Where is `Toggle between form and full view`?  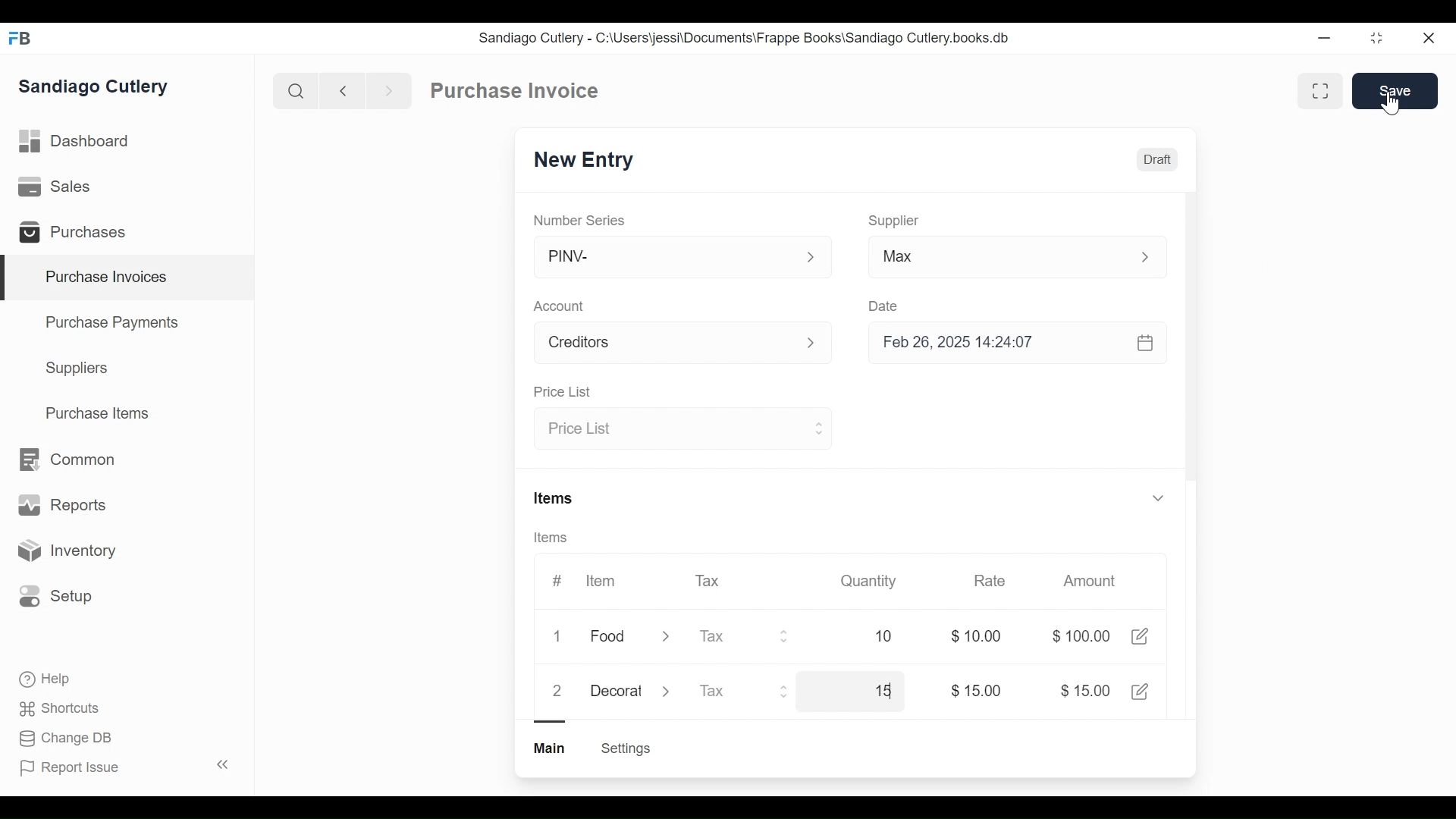 Toggle between form and full view is located at coordinates (1321, 91).